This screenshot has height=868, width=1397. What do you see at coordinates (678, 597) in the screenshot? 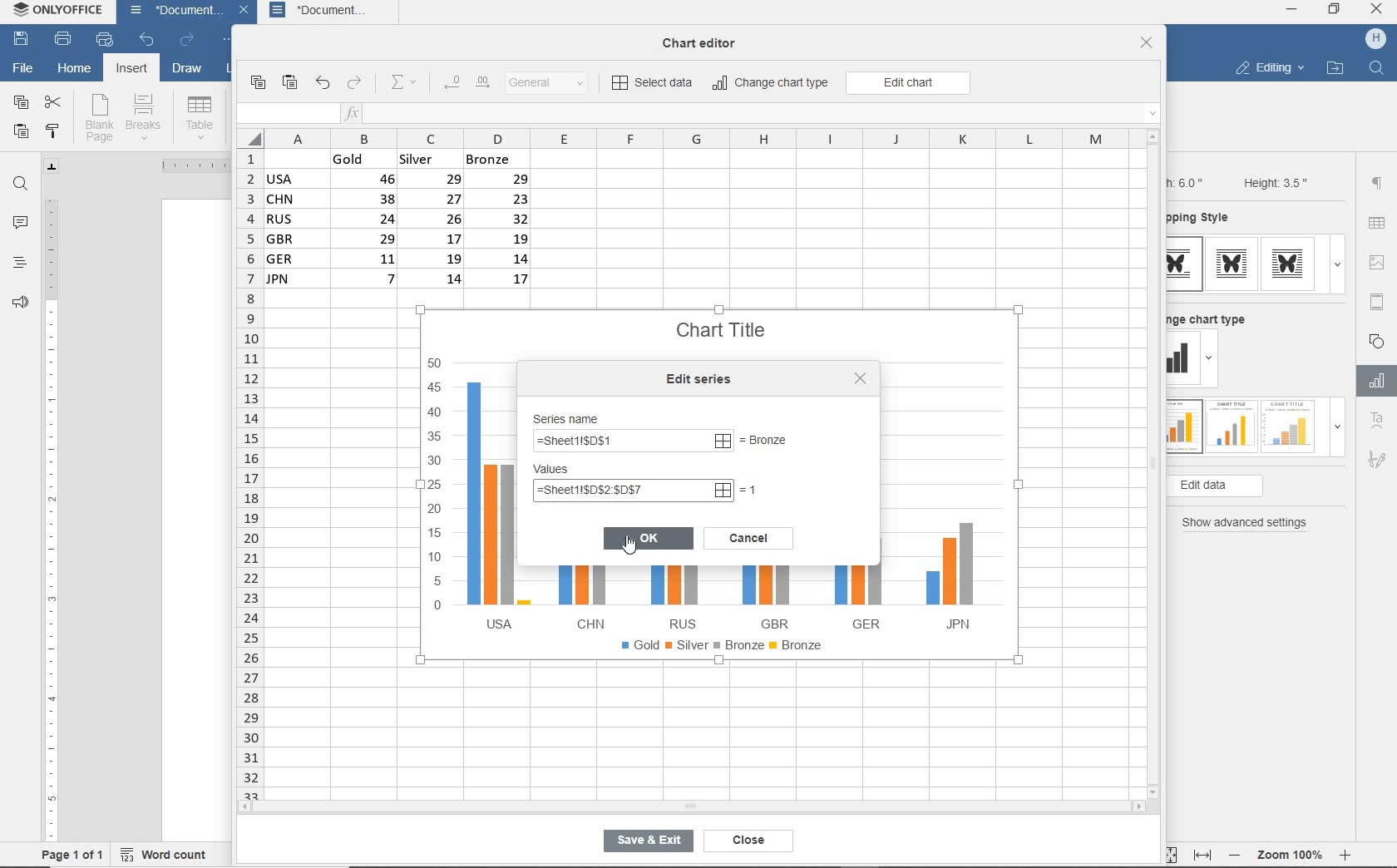
I see `RUS` at bounding box center [678, 597].